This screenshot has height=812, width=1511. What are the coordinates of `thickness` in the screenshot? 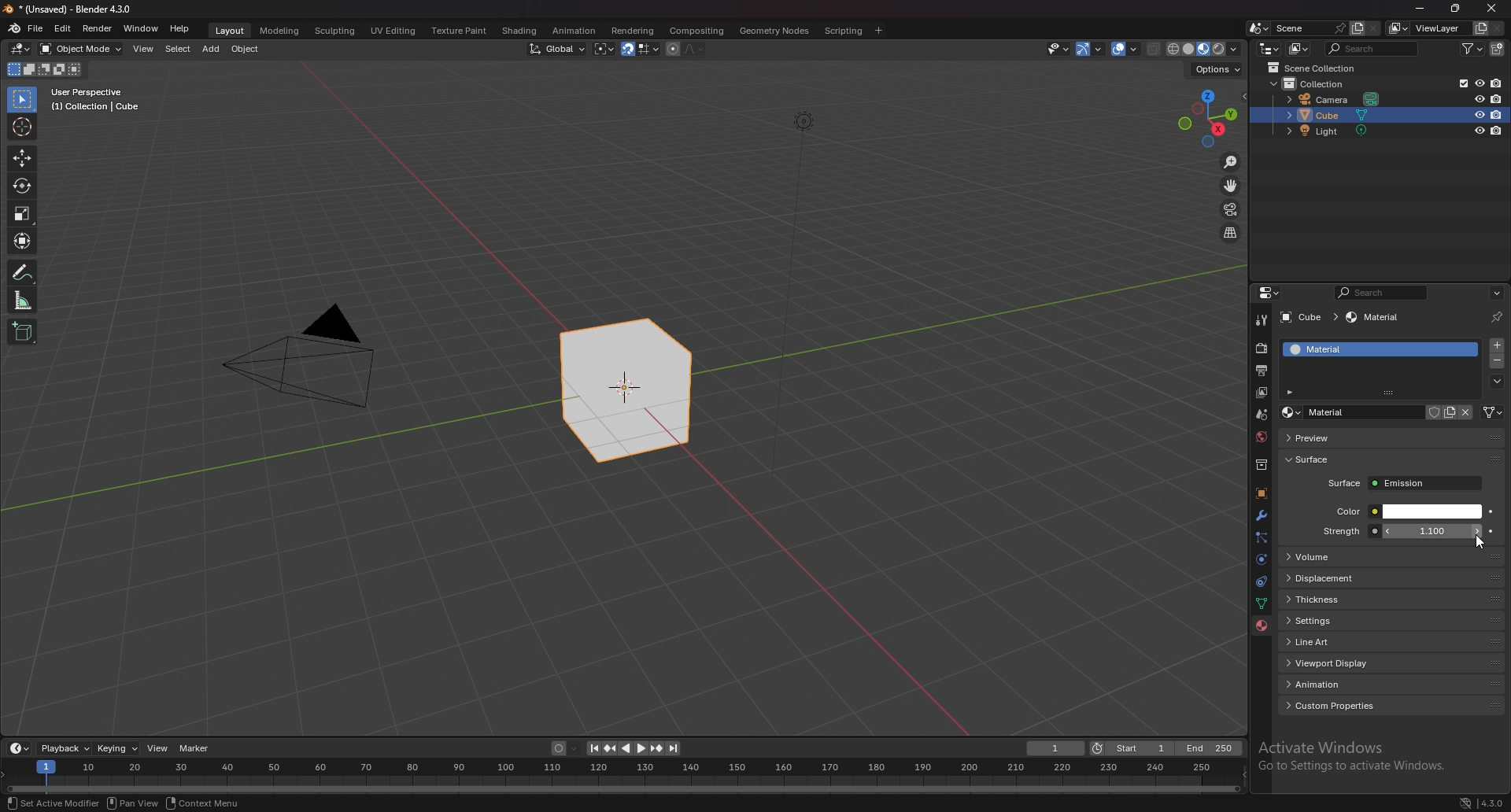 It's located at (1392, 600).